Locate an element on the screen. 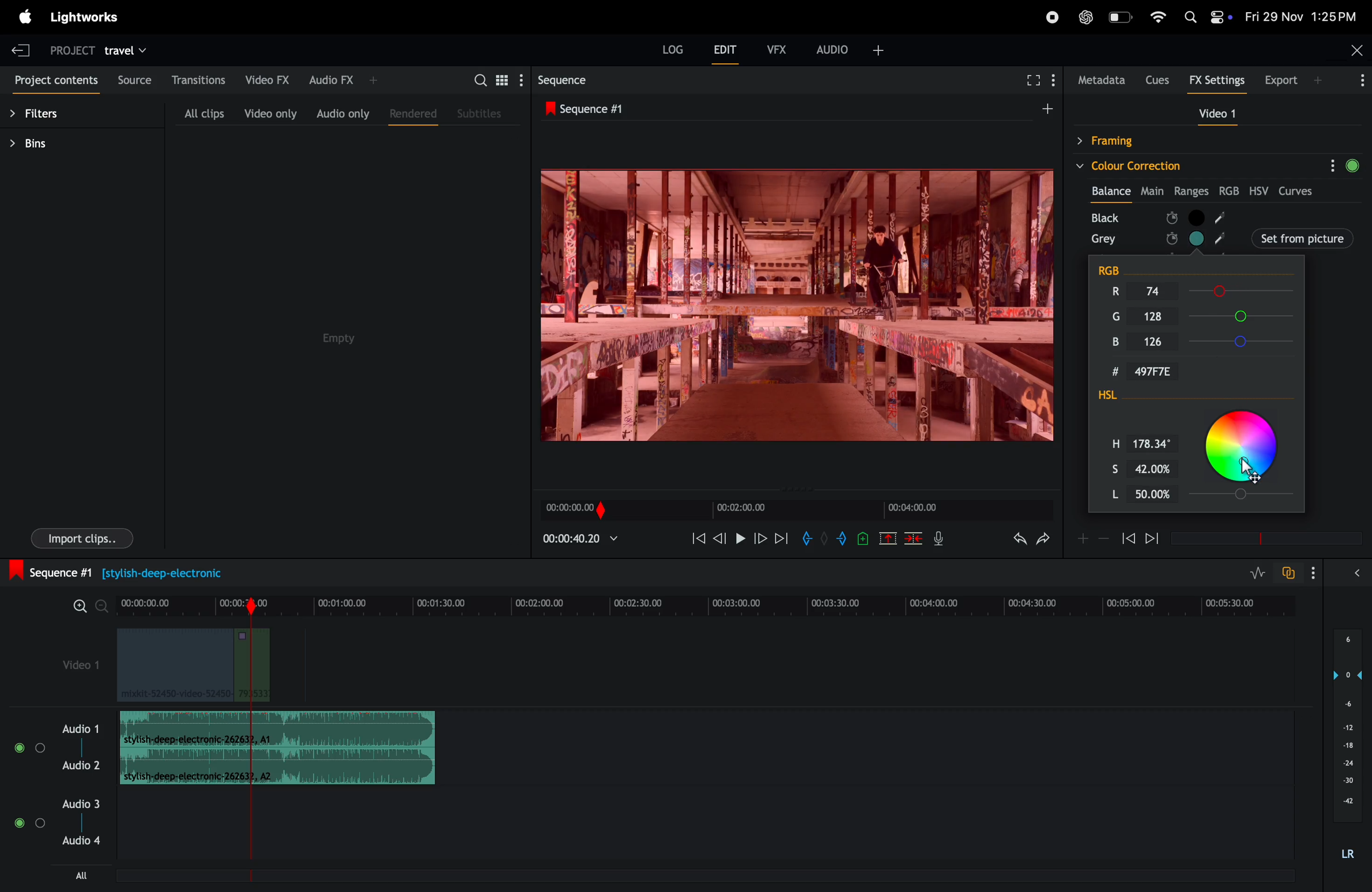  add out mark to current position is located at coordinates (842, 540).